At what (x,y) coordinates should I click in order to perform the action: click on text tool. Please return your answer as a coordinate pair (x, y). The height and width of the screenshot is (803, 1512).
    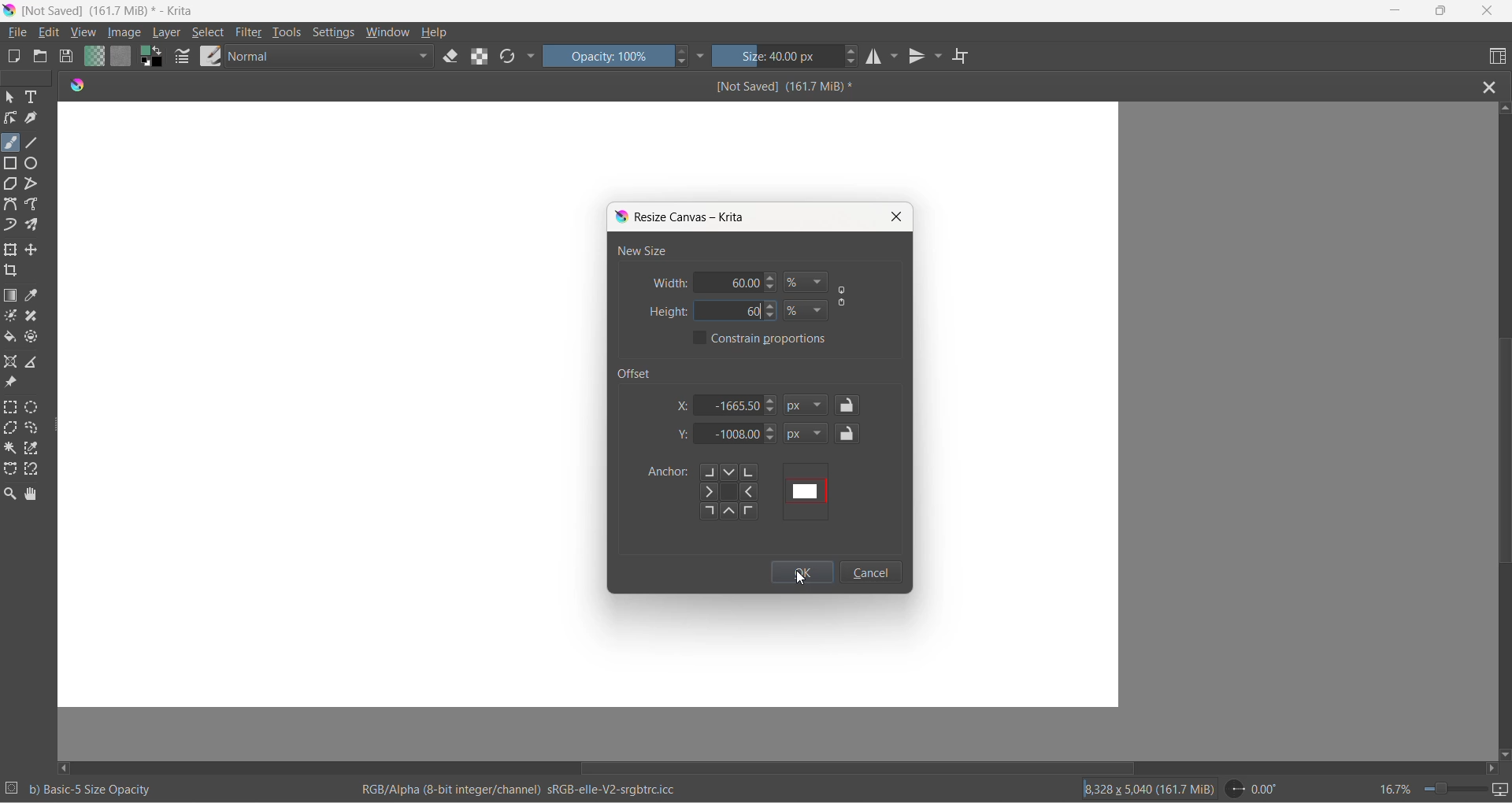
    Looking at the image, I should click on (34, 98).